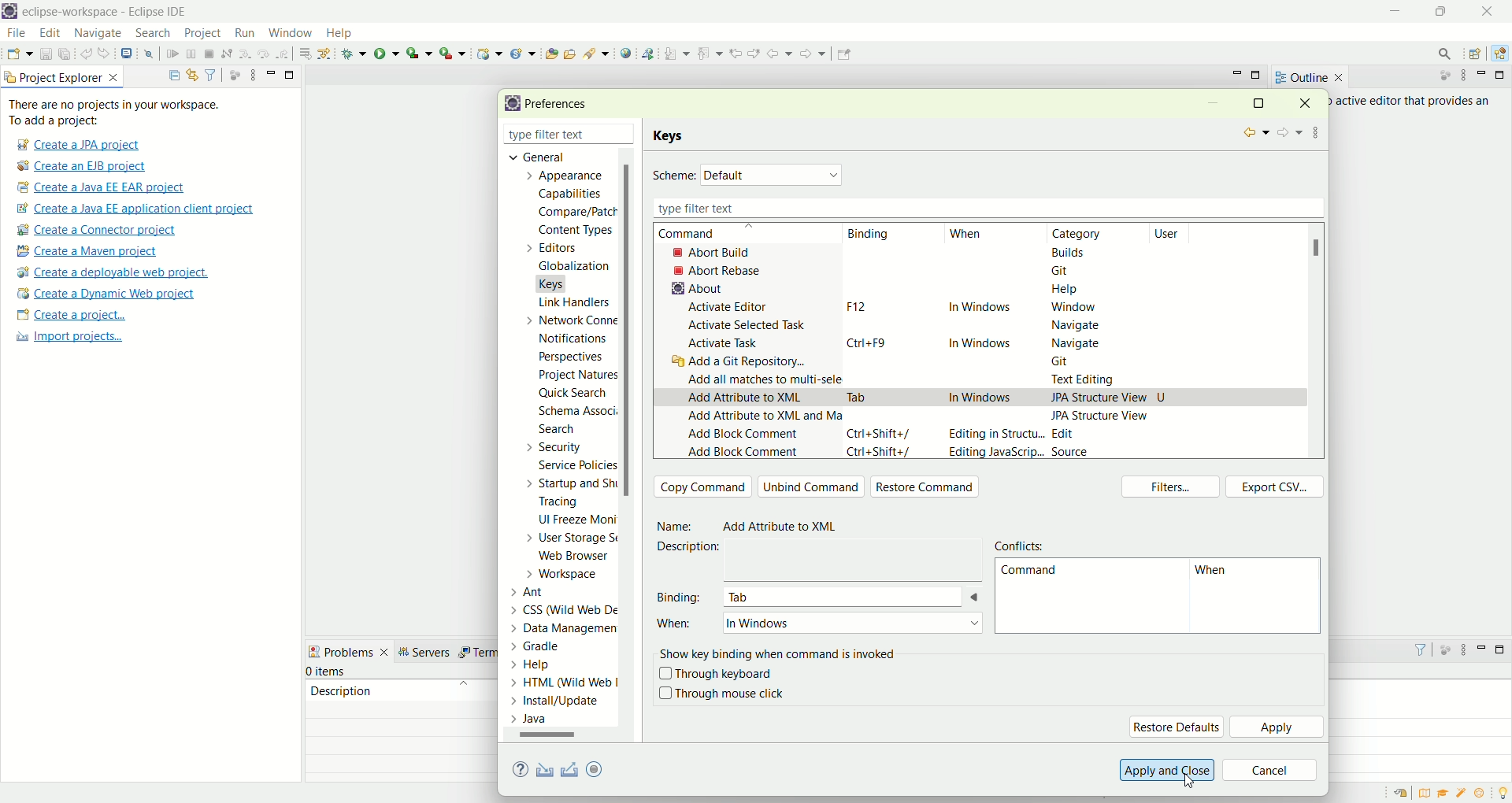 This screenshot has width=1512, height=803. What do you see at coordinates (1254, 133) in the screenshot?
I see `back` at bounding box center [1254, 133].